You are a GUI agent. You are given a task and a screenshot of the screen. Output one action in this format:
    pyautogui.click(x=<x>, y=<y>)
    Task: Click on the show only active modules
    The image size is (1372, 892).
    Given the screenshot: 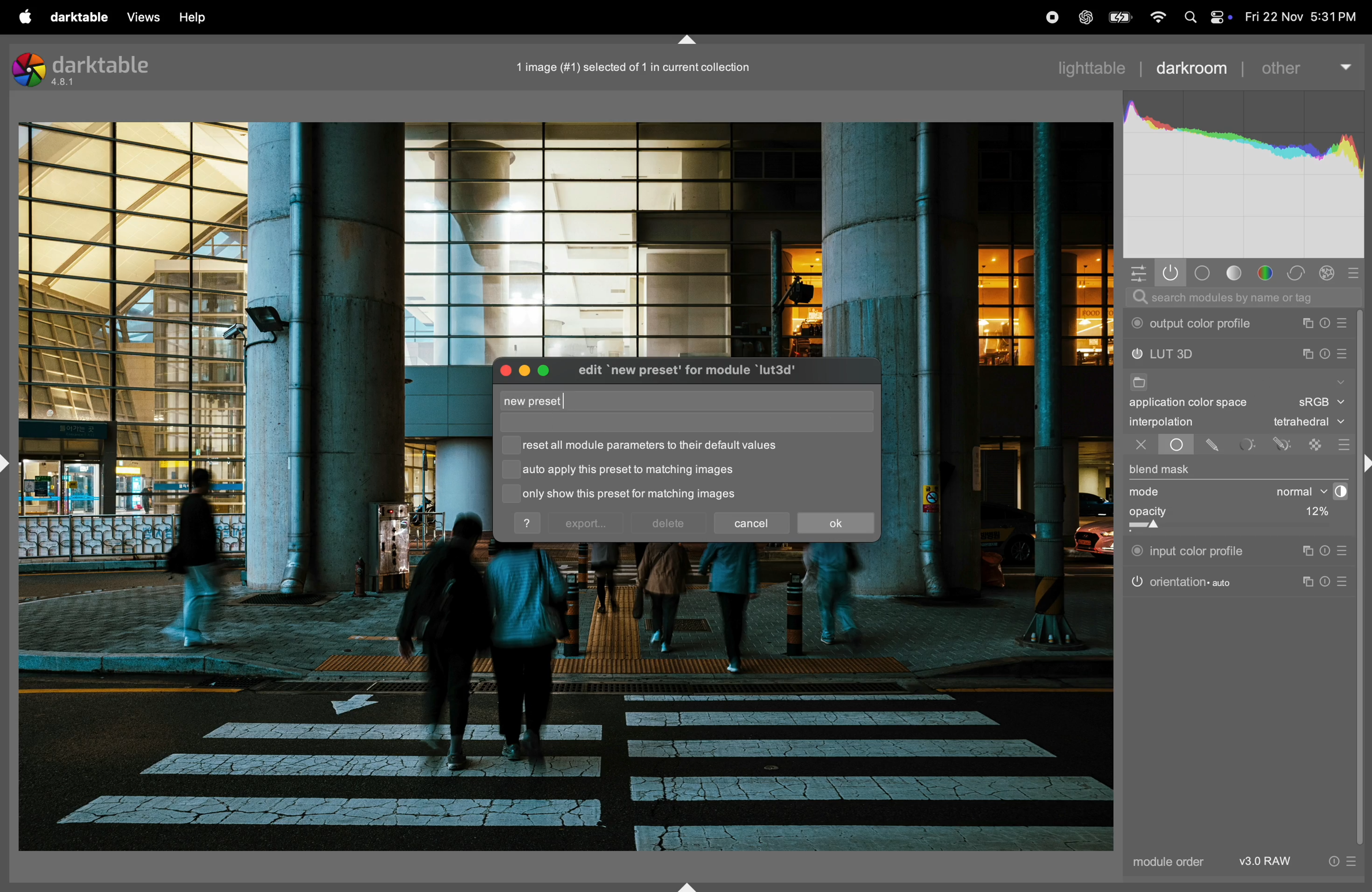 What is the action you would take?
    pyautogui.click(x=1171, y=273)
    